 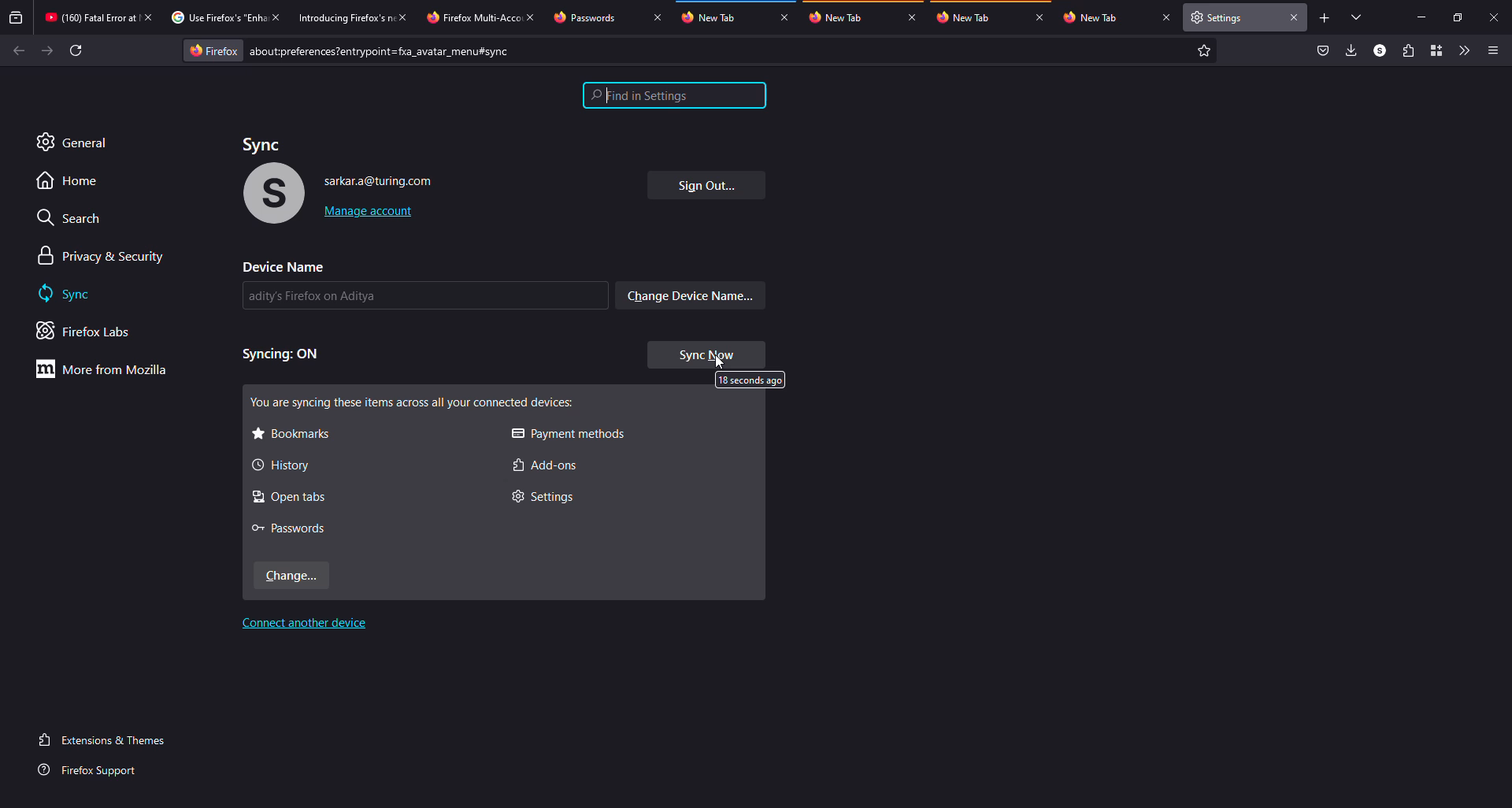 I want to click on close, so click(x=150, y=17).